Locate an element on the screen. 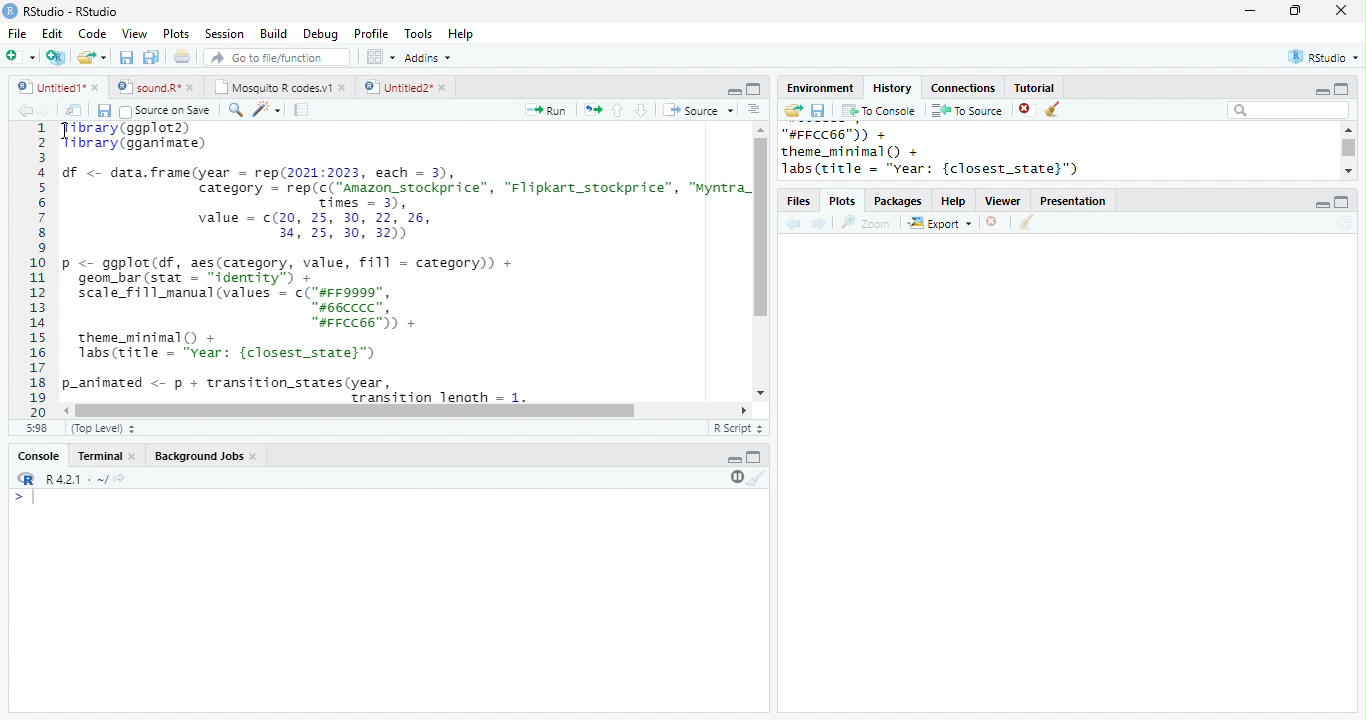  close is located at coordinates (192, 88).